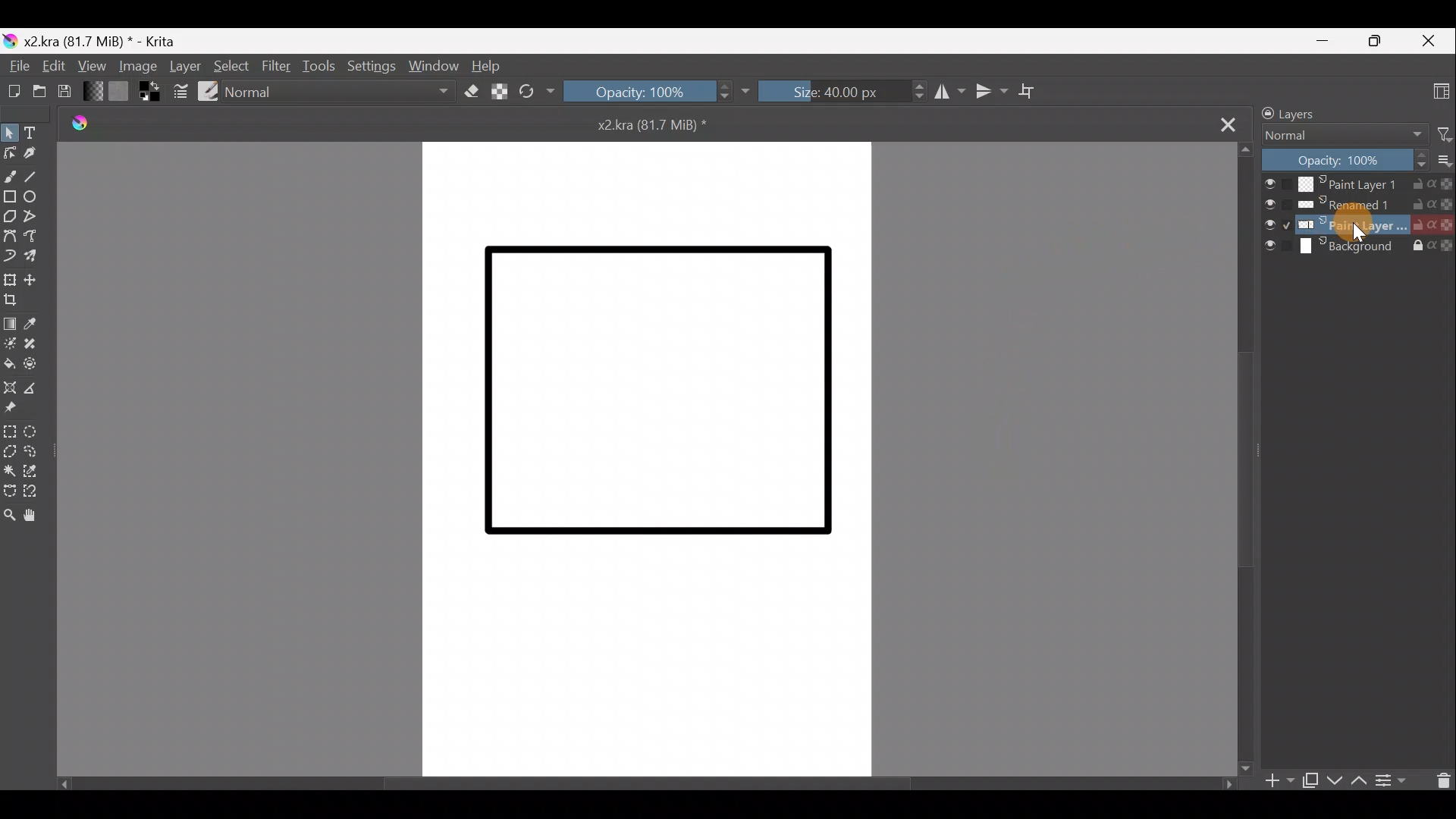  What do you see at coordinates (37, 194) in the screenshot?
I see `Ellipse tool` at bounding box center [37, 194].